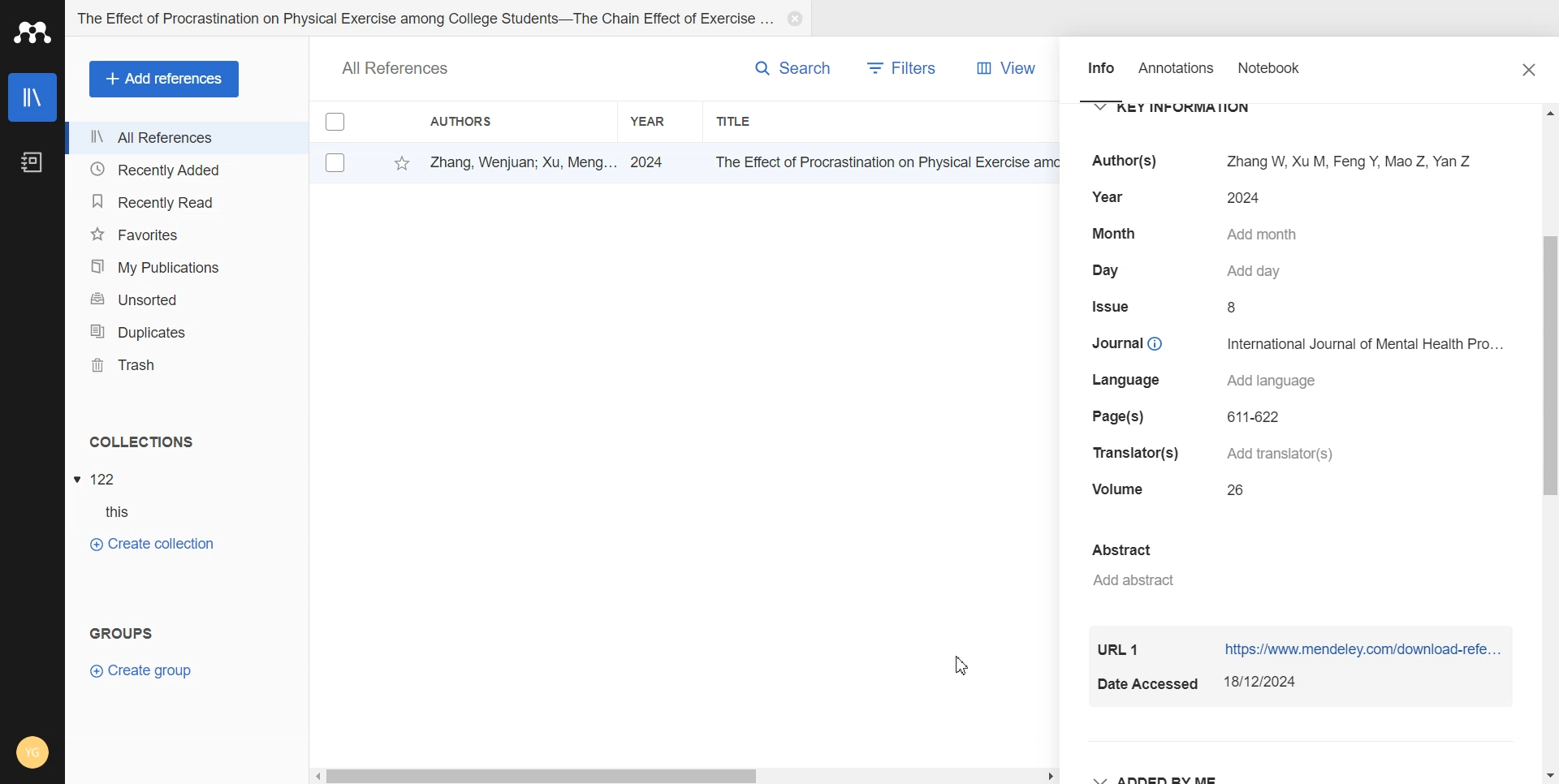  Describe the element at coordinates (32, 683) in the screenshot. I see `Auto Sync` at that location.